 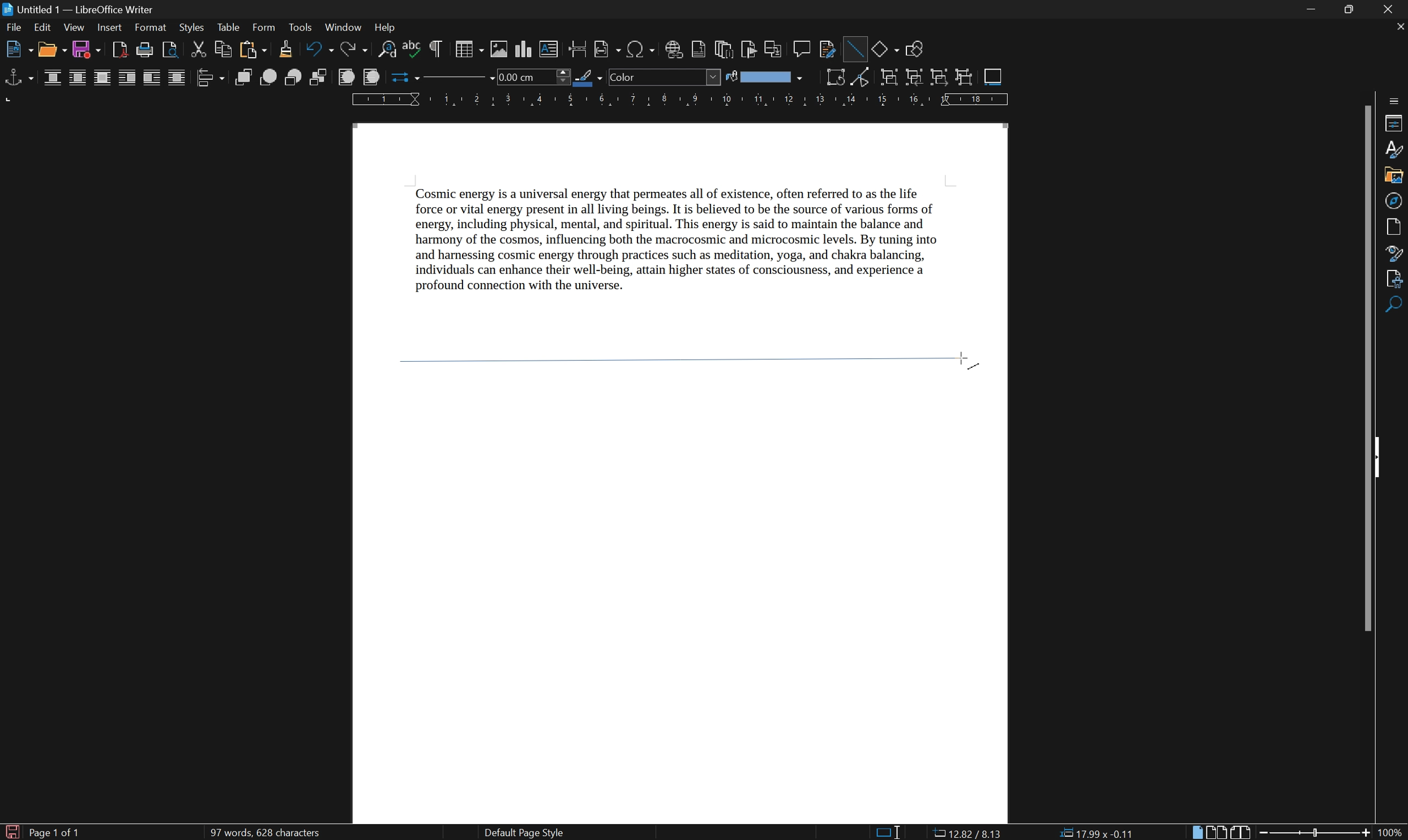 I want to click on insert hyperlink, so click(x=674, y=49).